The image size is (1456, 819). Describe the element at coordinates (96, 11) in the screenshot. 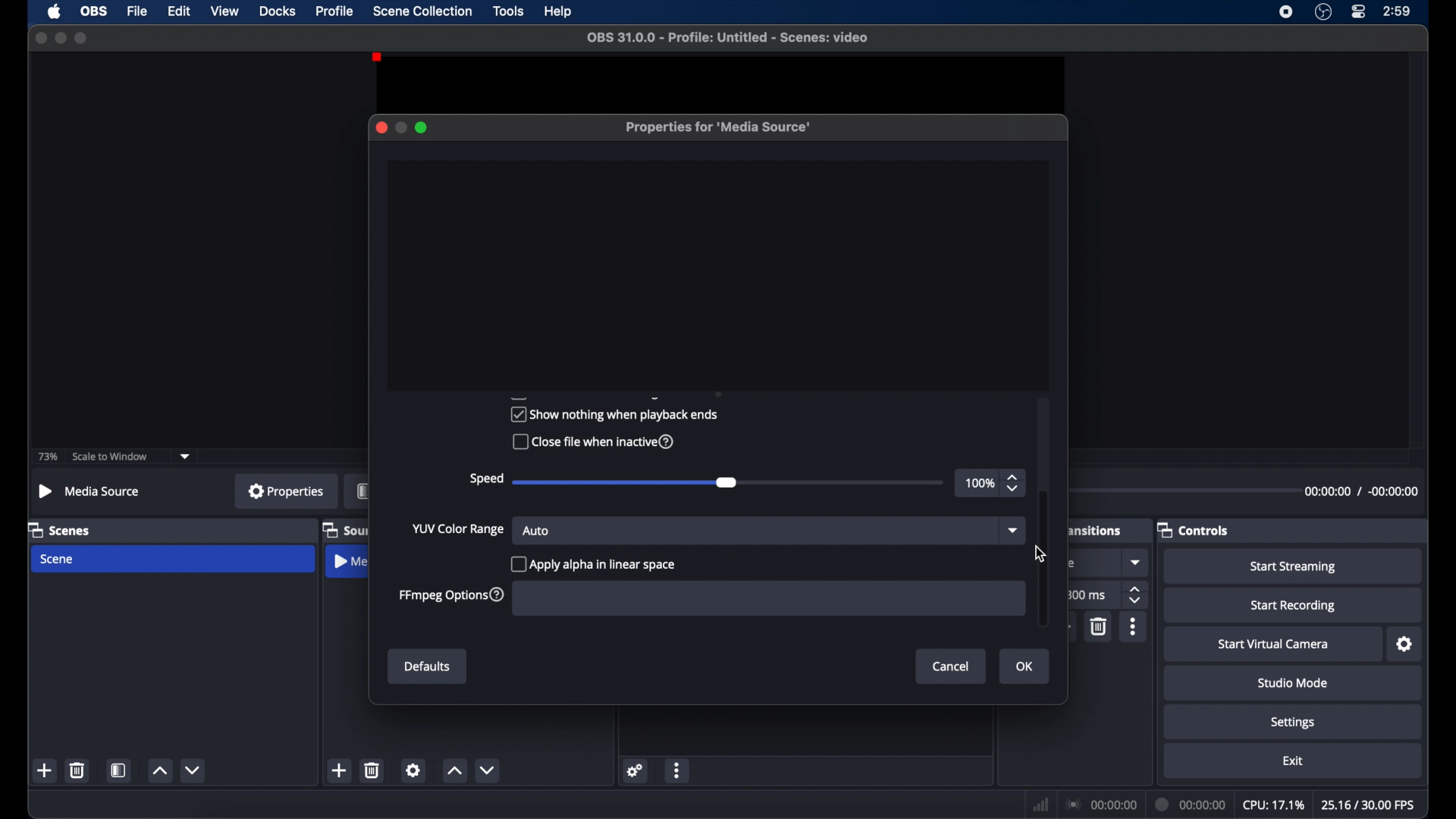

I see `ob` at that location.